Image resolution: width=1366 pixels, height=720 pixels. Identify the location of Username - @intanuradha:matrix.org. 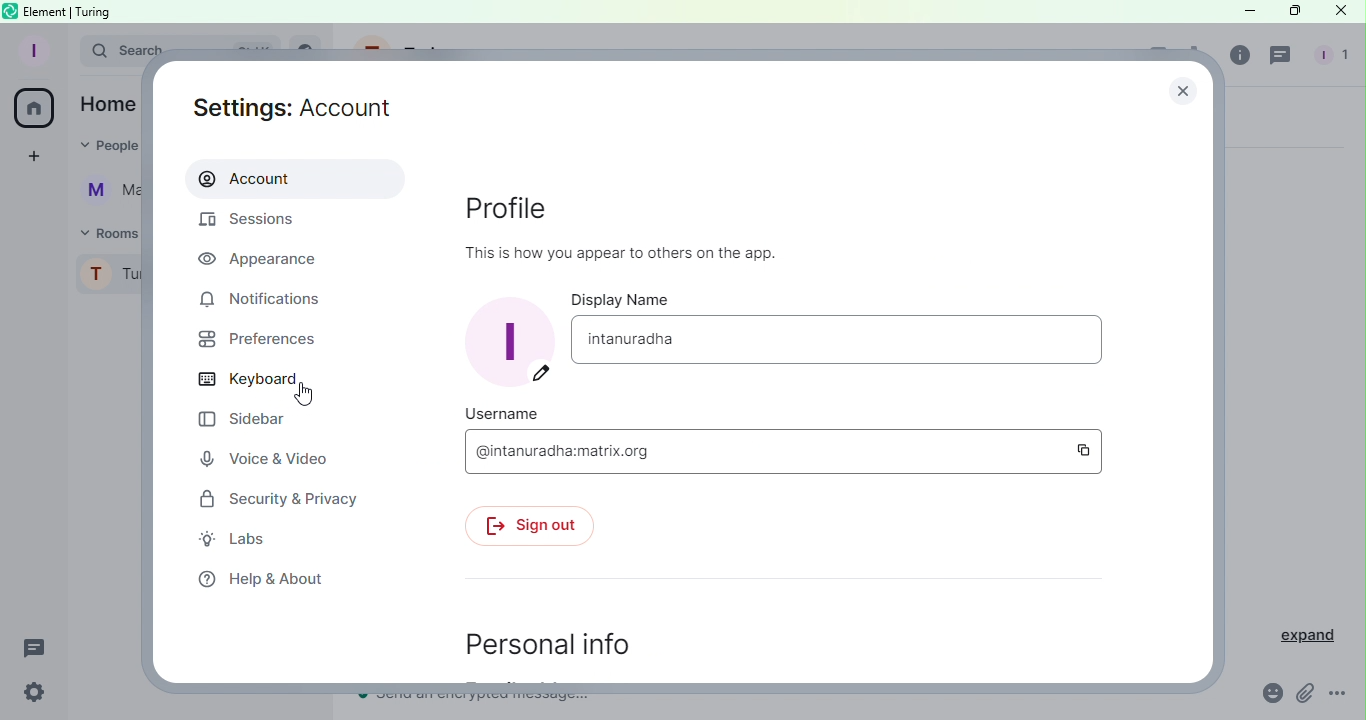
(764, 451).